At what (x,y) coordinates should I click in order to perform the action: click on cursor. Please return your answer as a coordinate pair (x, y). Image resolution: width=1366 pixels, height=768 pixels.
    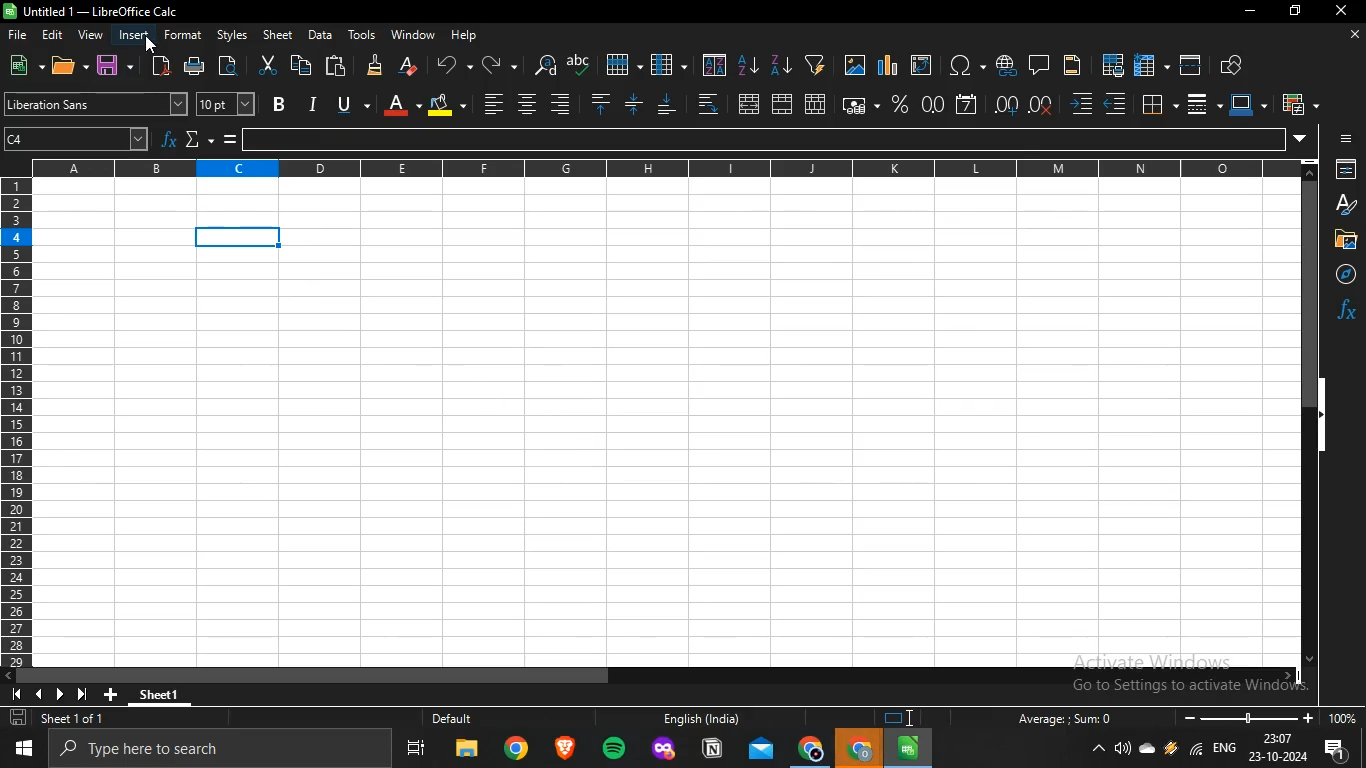
    Looking at the image, I should click on (150, 44).